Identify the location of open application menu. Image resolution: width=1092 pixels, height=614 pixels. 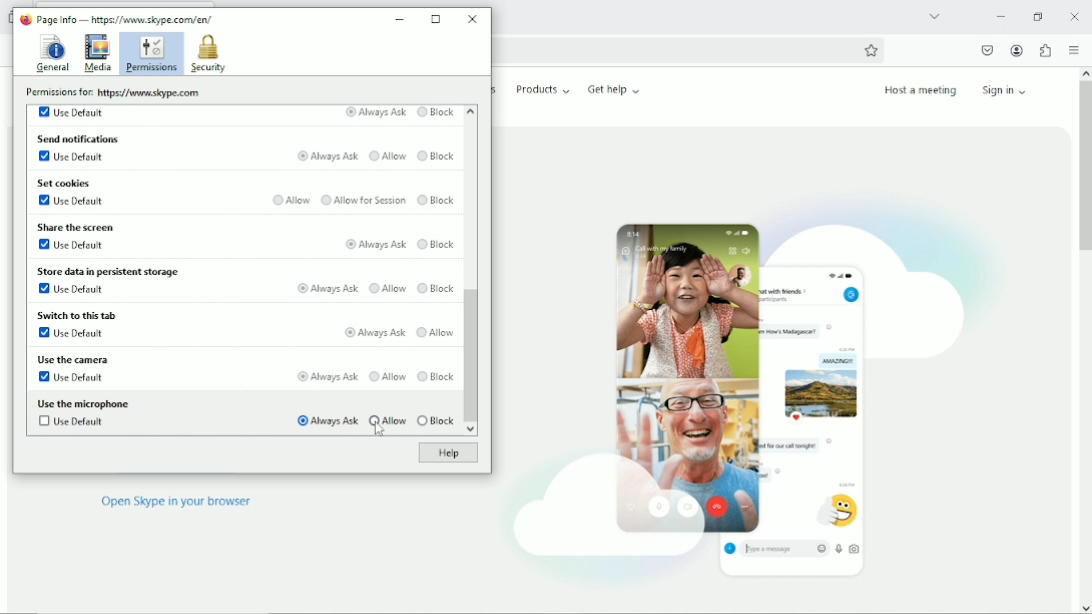
(1073, 51).